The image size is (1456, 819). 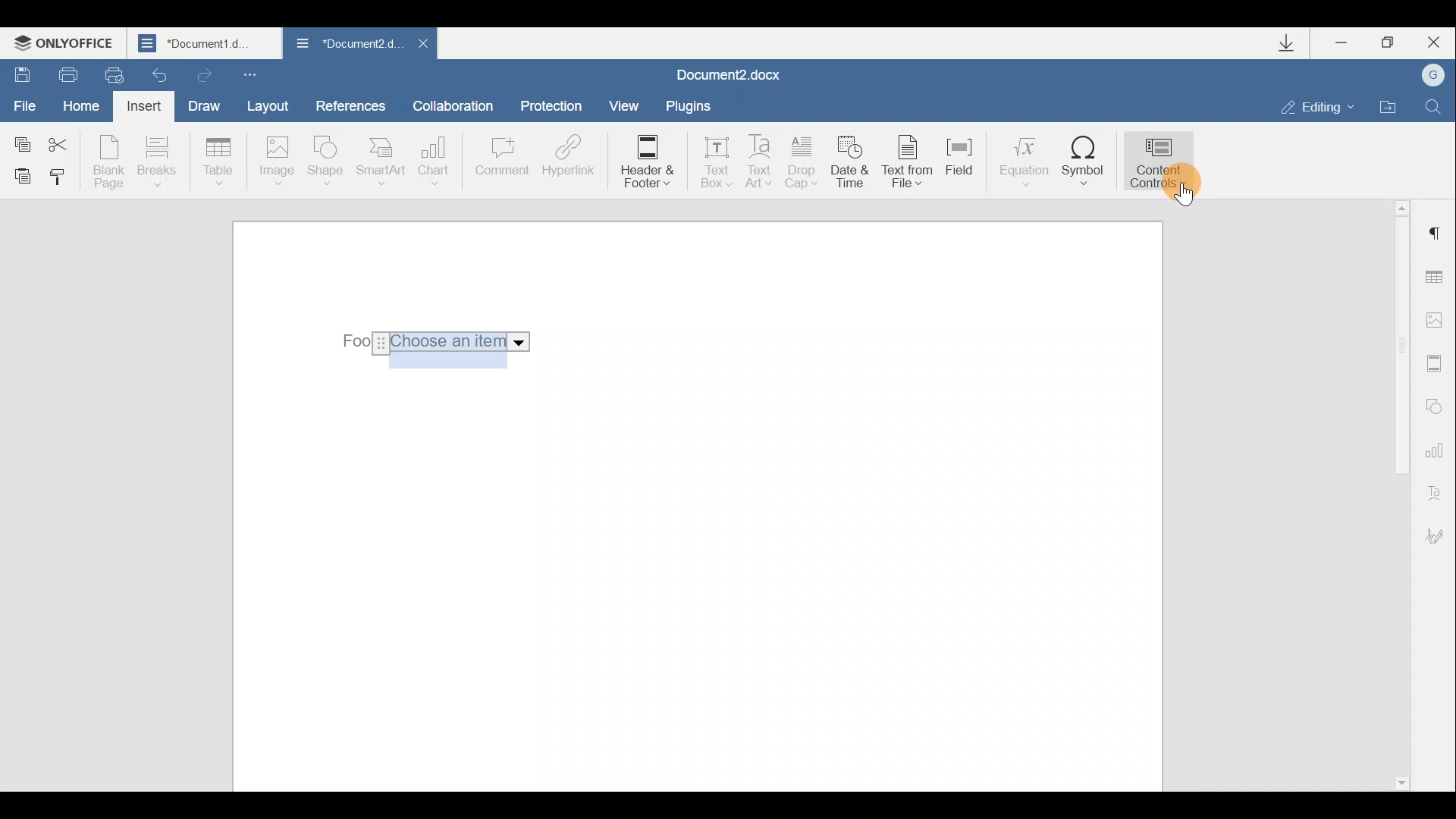 What do you see at coordinates (59, 180) in the screenshot?
I see `Copy style` at bounding box center [59, 180].